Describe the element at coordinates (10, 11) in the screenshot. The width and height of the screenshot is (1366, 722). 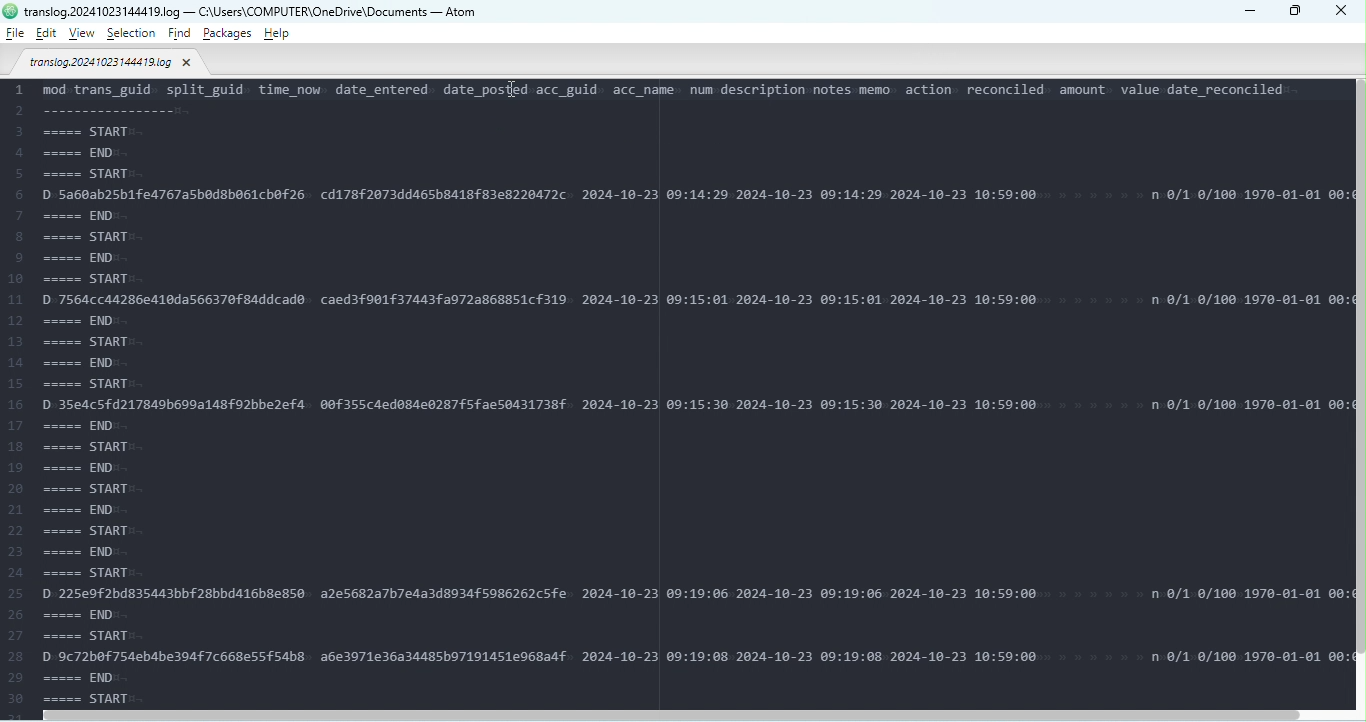
I see `` at that location.